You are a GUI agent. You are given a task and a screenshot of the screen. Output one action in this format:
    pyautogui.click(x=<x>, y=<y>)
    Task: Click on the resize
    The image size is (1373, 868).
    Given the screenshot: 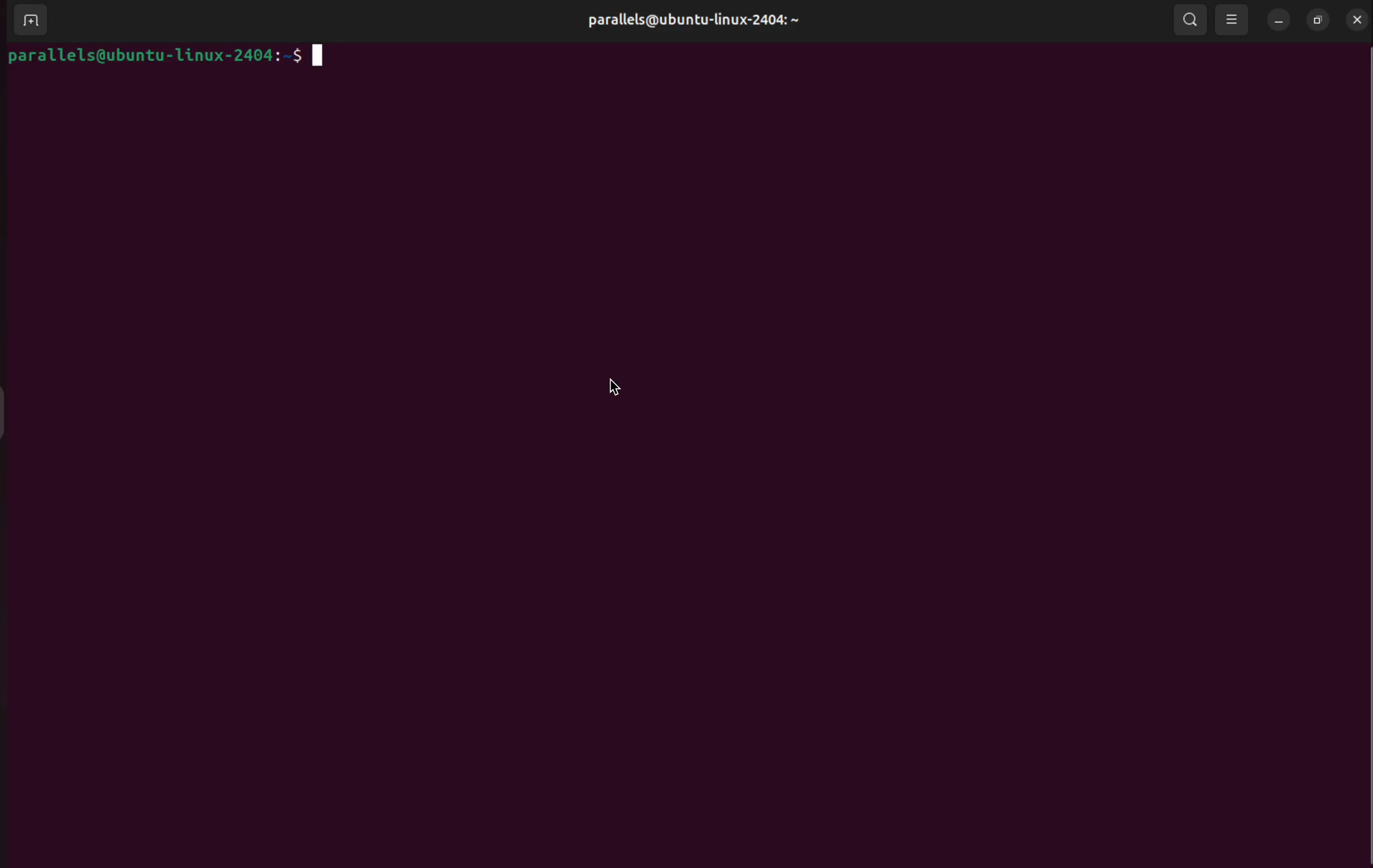 What is the action you would take?
    pyautogui.click(x=1316, y=22)
    